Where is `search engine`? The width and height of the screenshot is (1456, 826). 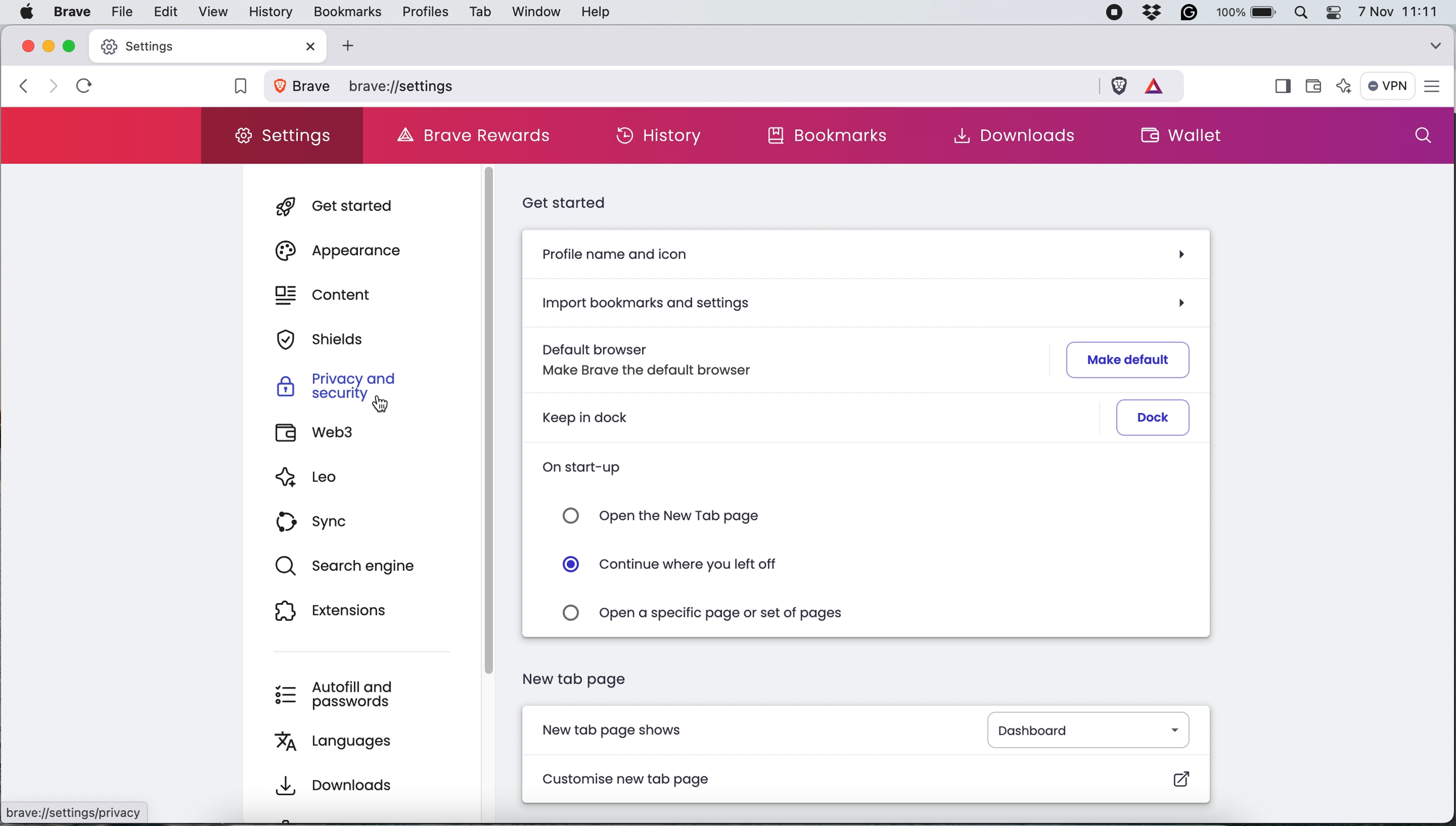
search engine is located at coordinates (358, 568).